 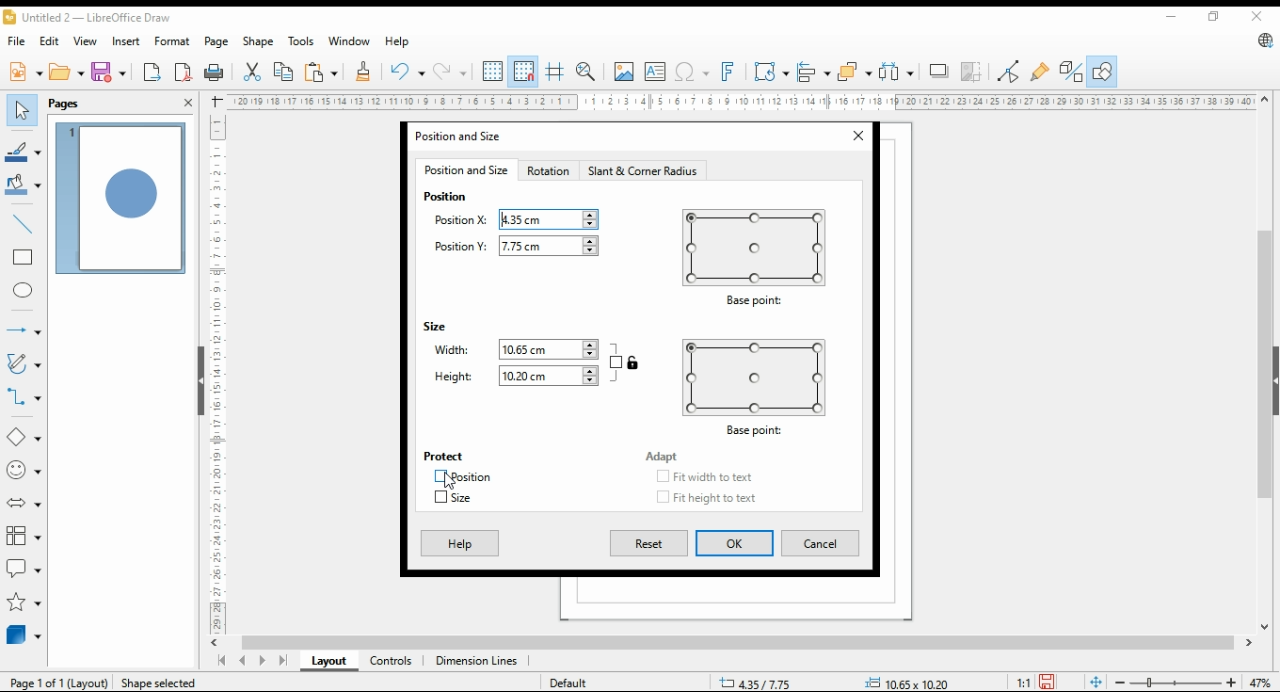 What do you see at coordinates (895, 72) in the screenshot?
I see `select at least three objects to distribute` at bounding box center [895, 72].